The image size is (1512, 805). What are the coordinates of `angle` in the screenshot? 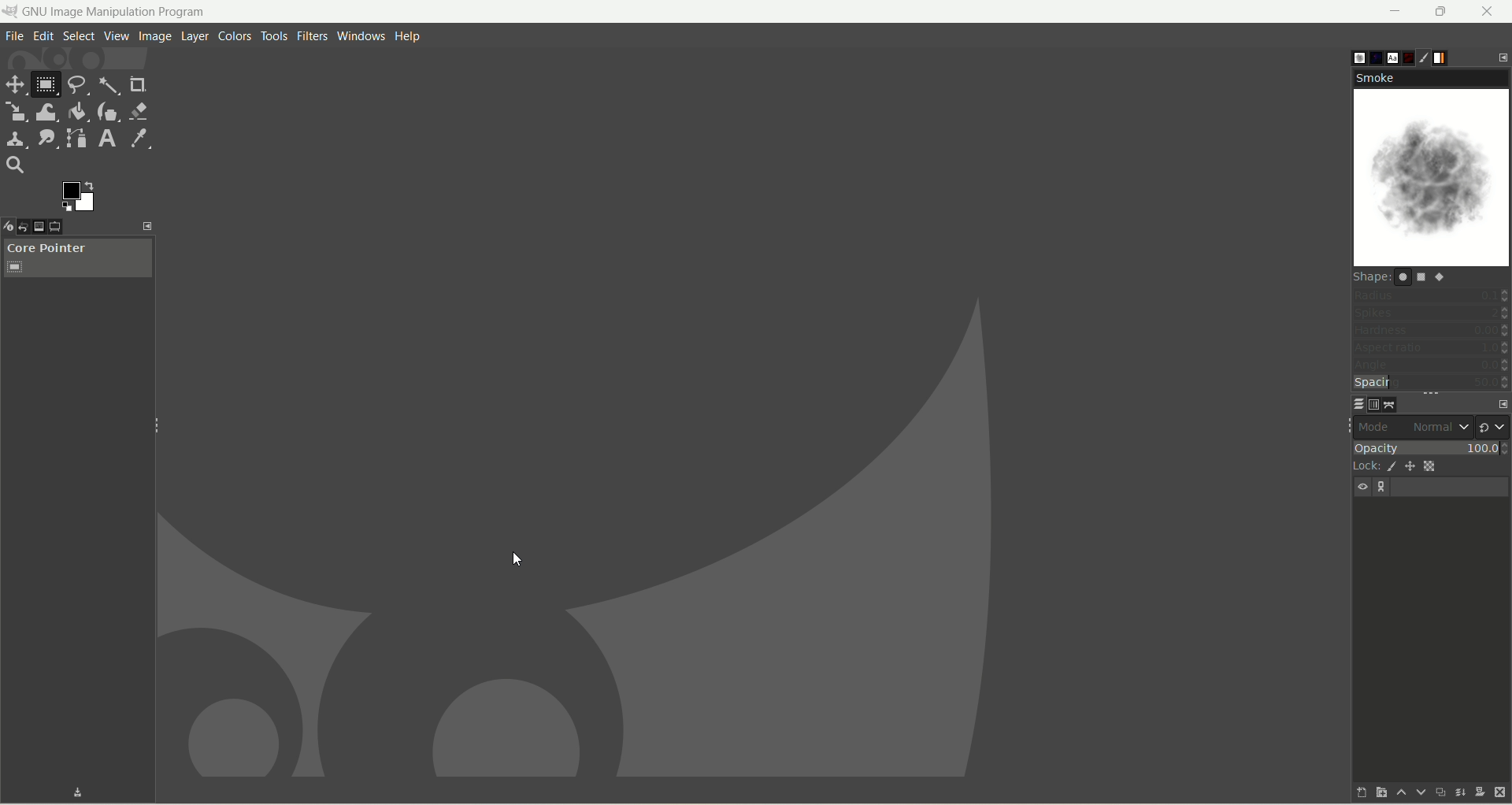 It's located at (1430, 366).